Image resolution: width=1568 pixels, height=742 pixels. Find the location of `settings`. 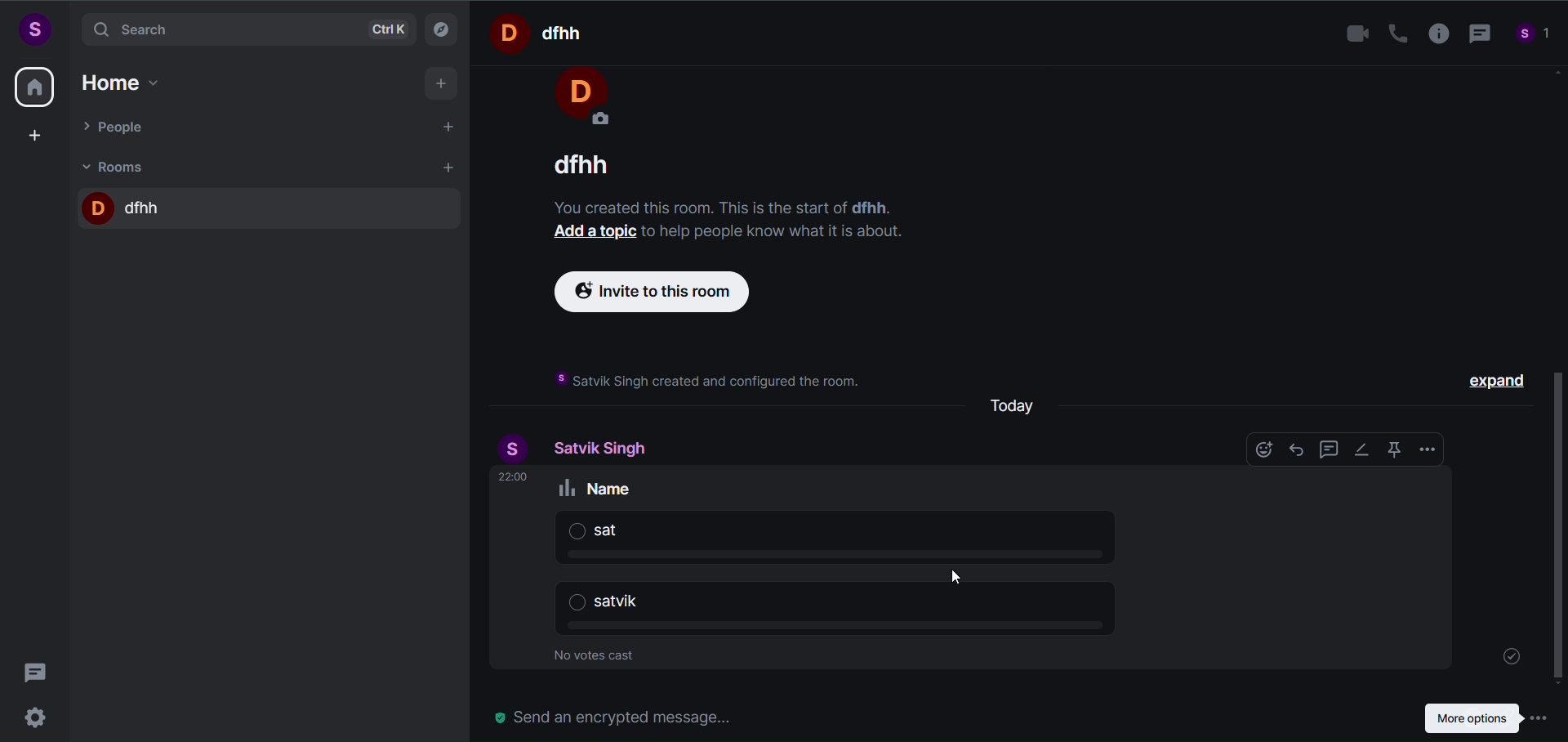

settings is located at coordinates (39, 715).